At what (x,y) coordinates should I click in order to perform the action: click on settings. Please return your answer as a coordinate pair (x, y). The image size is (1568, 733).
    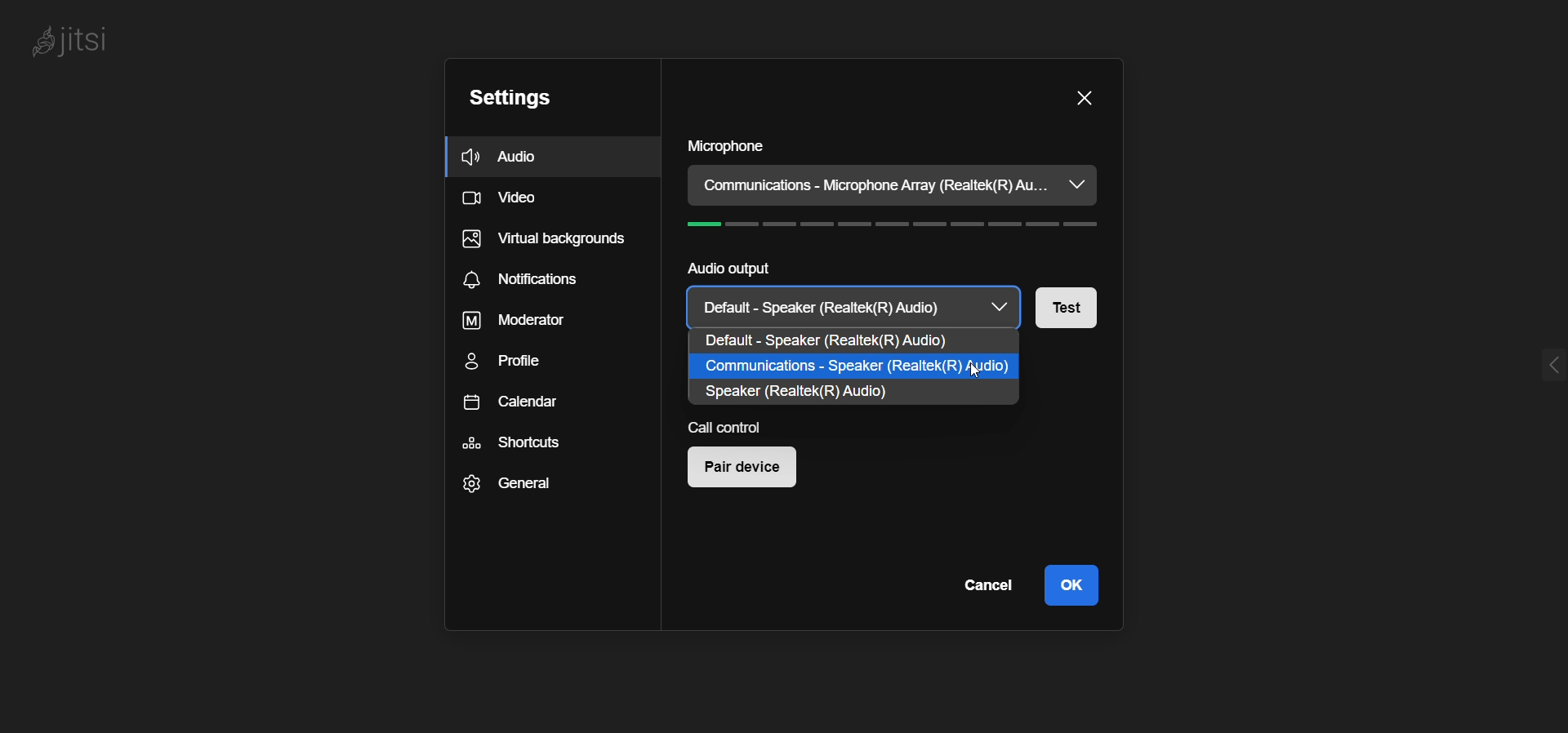
    Looking at the image, I should click on (508, 100).